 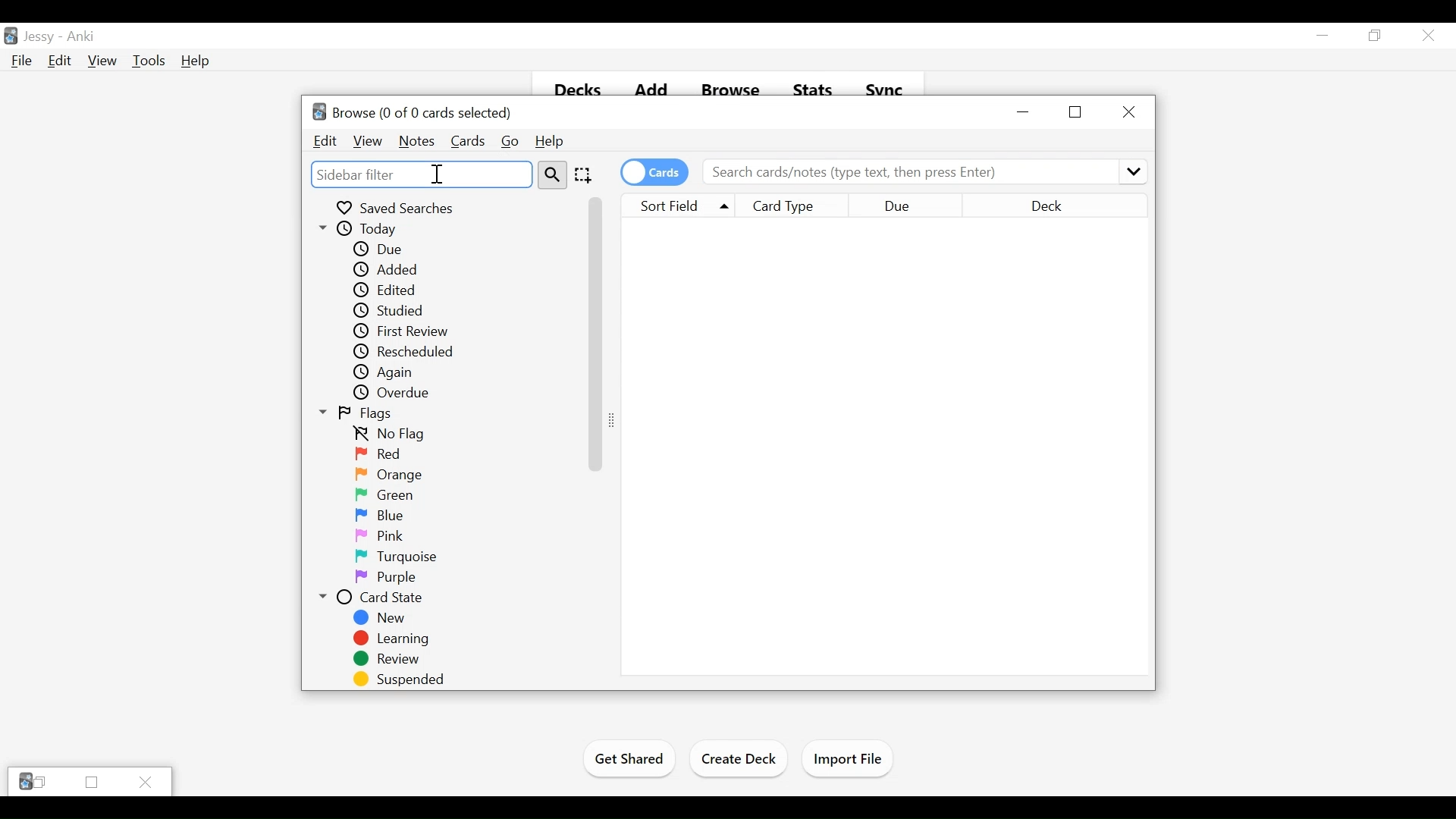 I want to click on Green, so click(x=385, y=496).